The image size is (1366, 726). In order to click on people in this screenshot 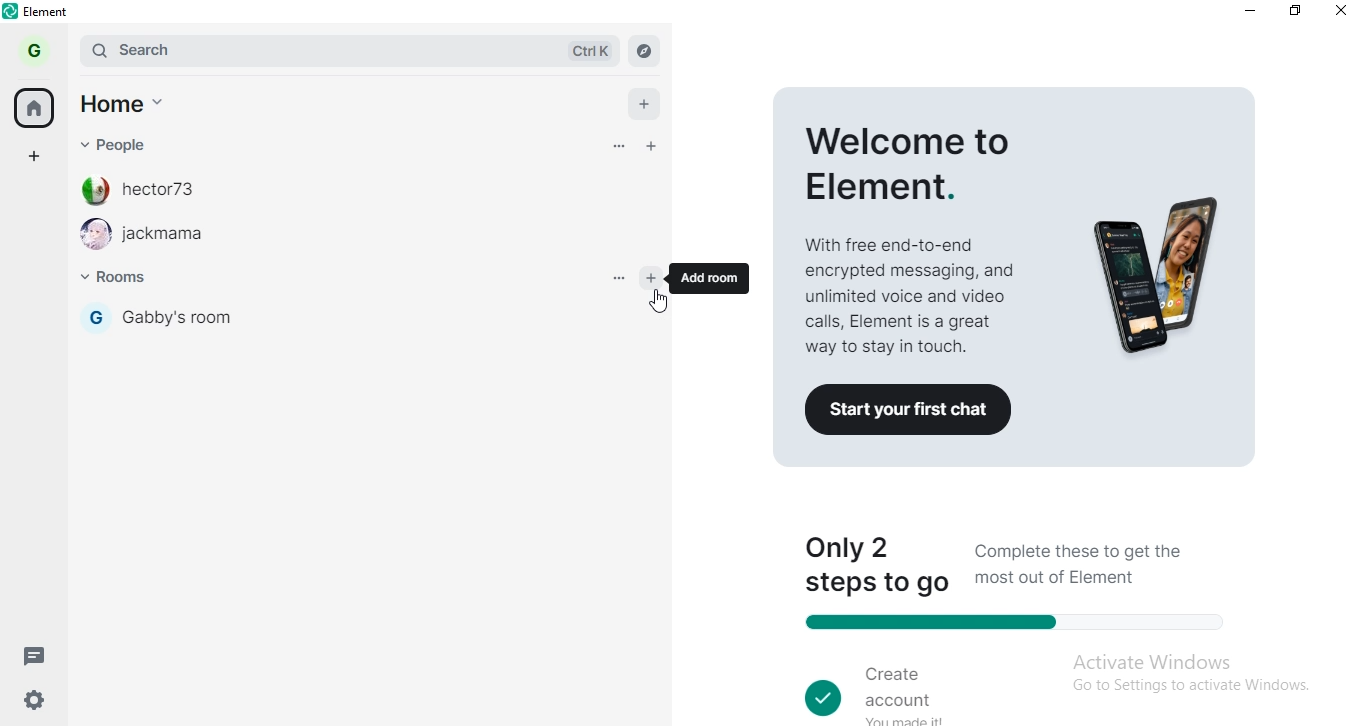, I will do `click(131, 147)`.